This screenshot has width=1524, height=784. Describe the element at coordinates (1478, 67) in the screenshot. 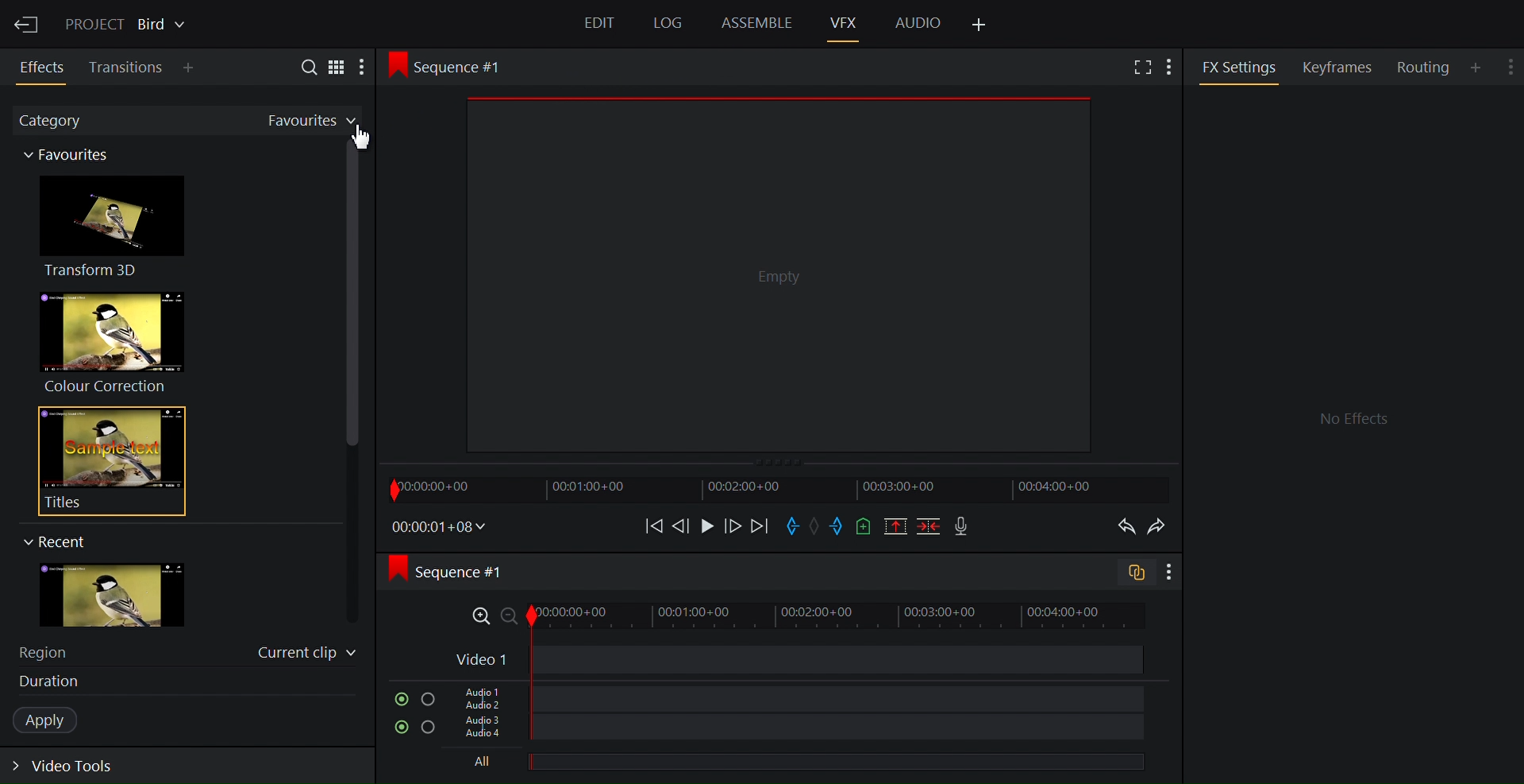

I see `Add Panel` at that location.